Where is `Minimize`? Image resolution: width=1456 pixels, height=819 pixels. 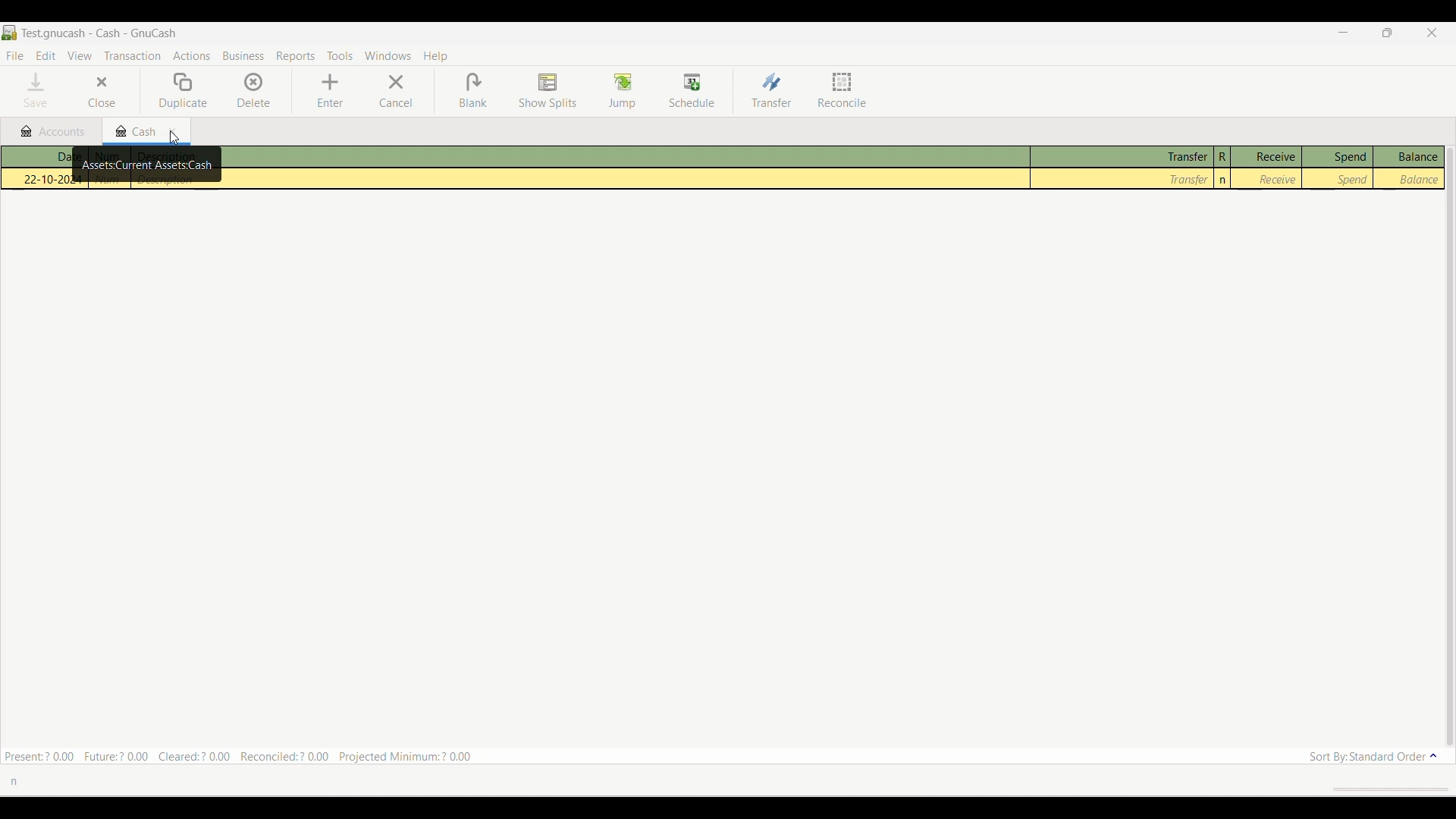 Minimize is located at coordinates (1343, 33).